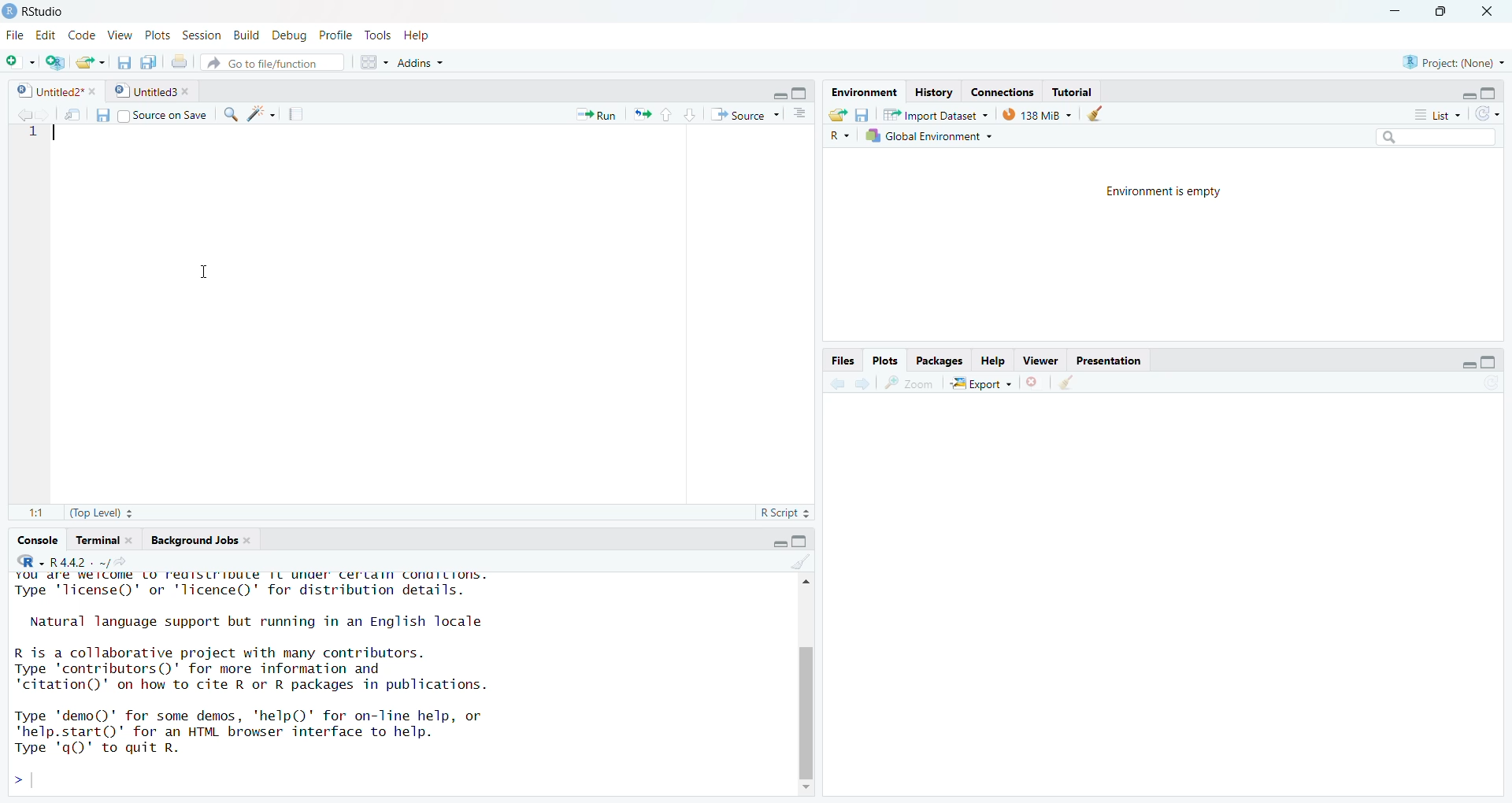 Image resolution: width=1512 pixels, height=803 pixels. What do you see at coordinates (849, 384) in the screenshot?
I see `forward/backward` at bounding box center [849, 384].